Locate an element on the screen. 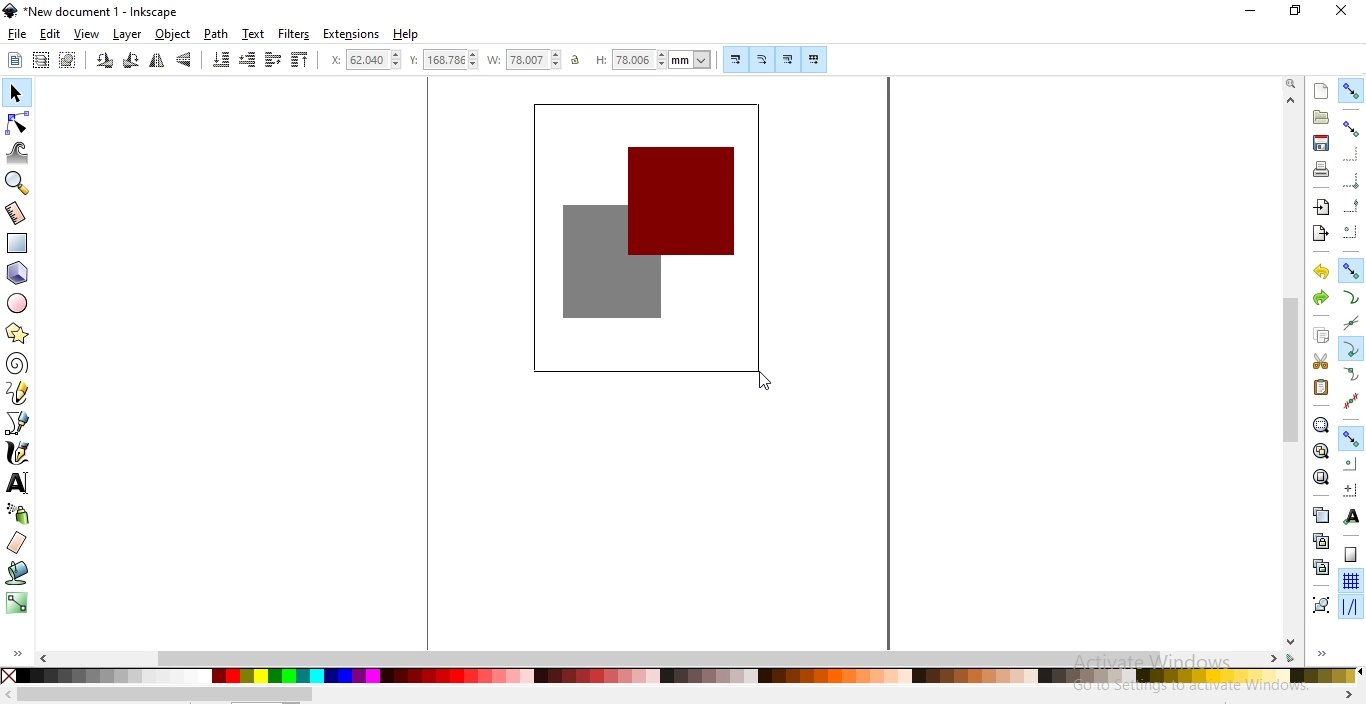  select all objects or nodes is located at coordinates (16, 59).